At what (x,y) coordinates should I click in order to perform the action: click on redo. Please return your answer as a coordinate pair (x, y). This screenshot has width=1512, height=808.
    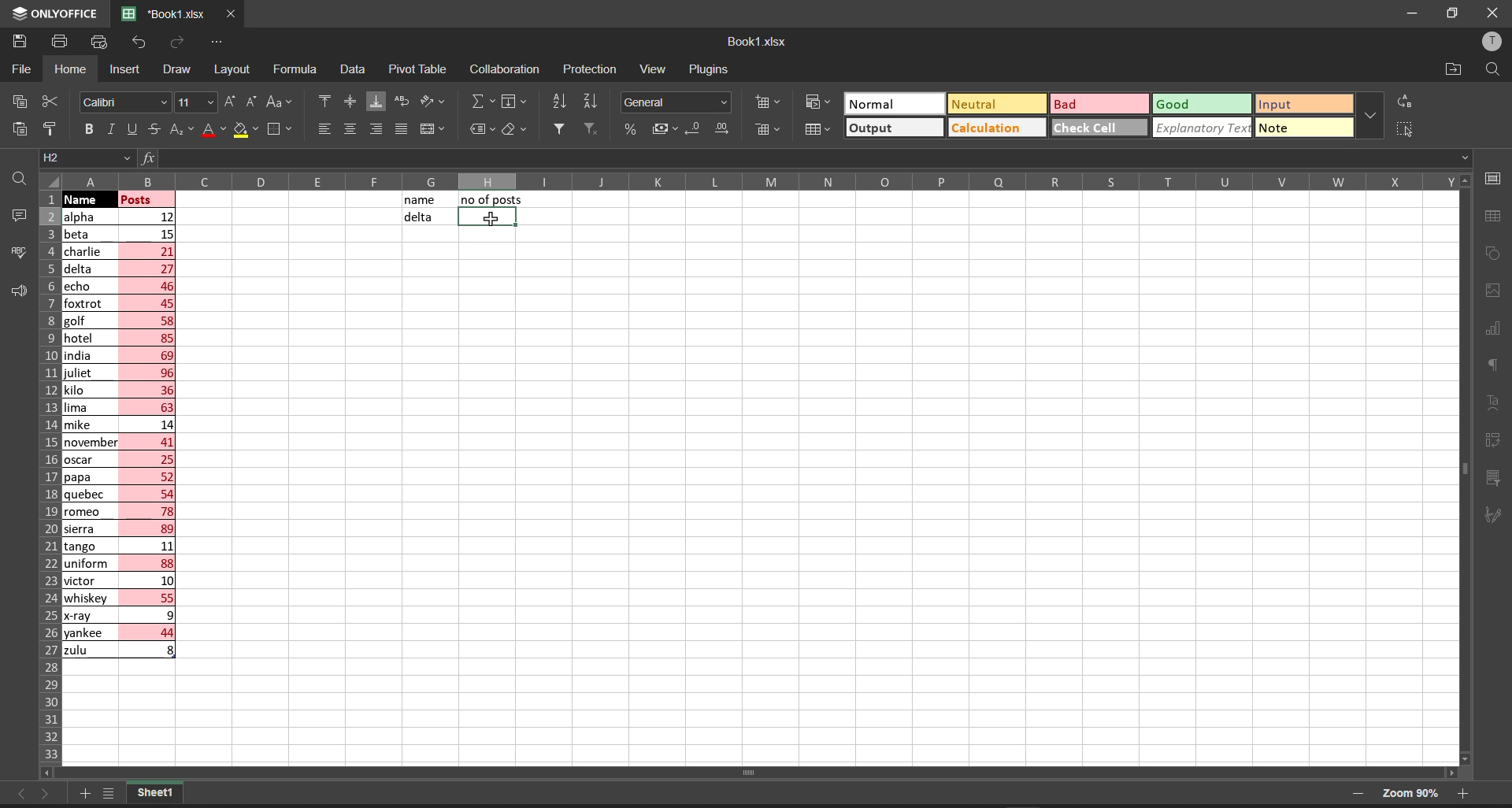
    Looking at the image, I should click on (176, 45).